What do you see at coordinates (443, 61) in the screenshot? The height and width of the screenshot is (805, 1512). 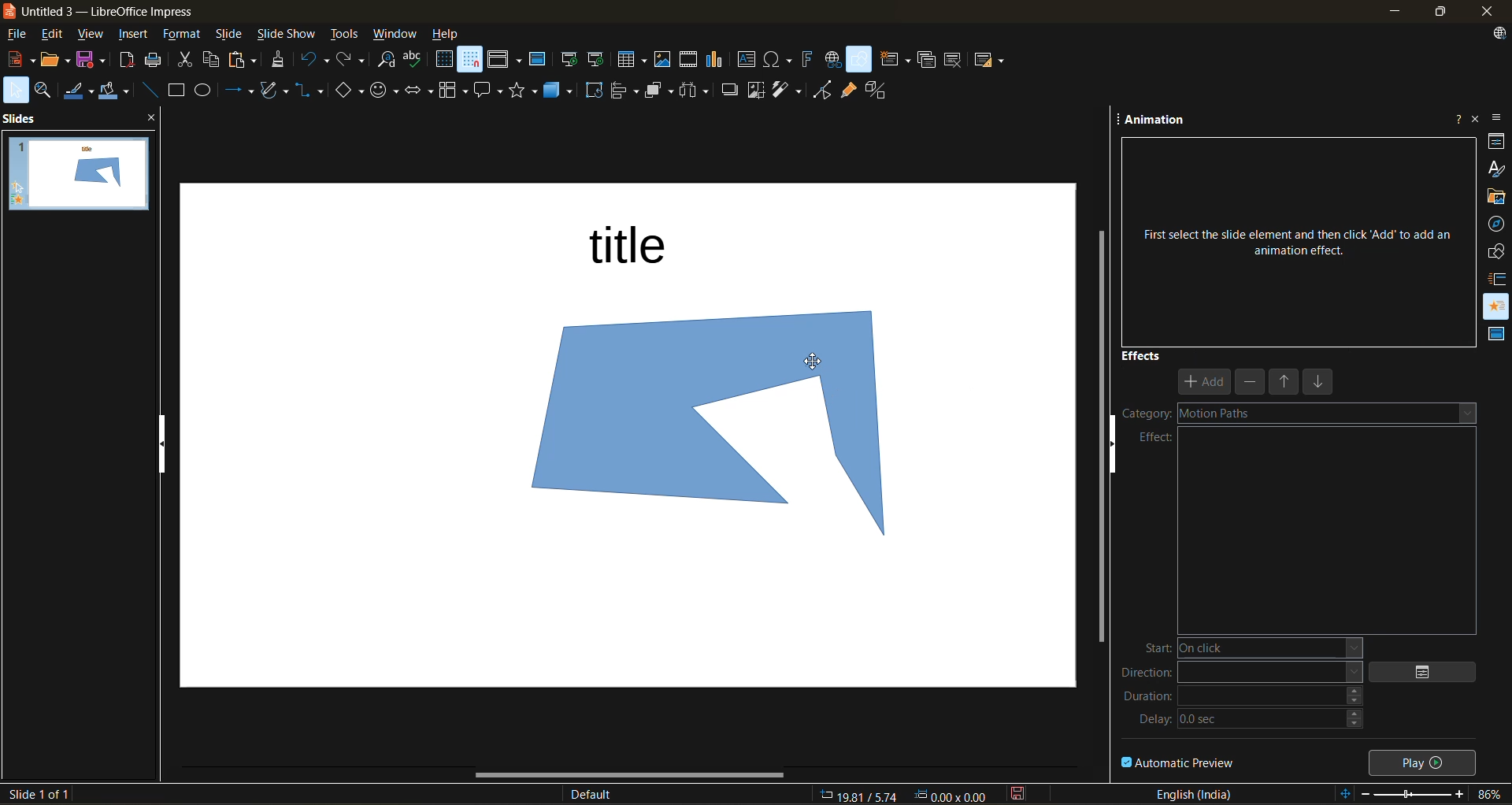 I see `display grid` at bounding box center [443, 61].